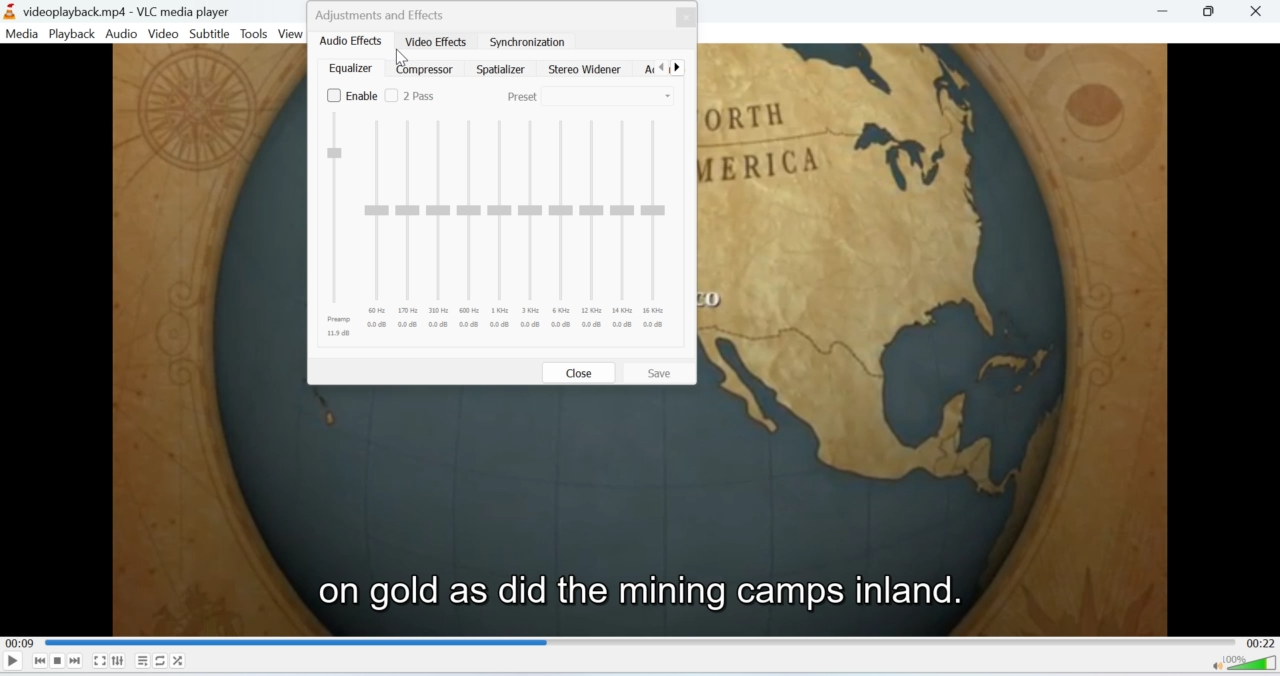 This screenshot has height=676, width=1280. I want to click on Audio effects scale, so click(503, 227).